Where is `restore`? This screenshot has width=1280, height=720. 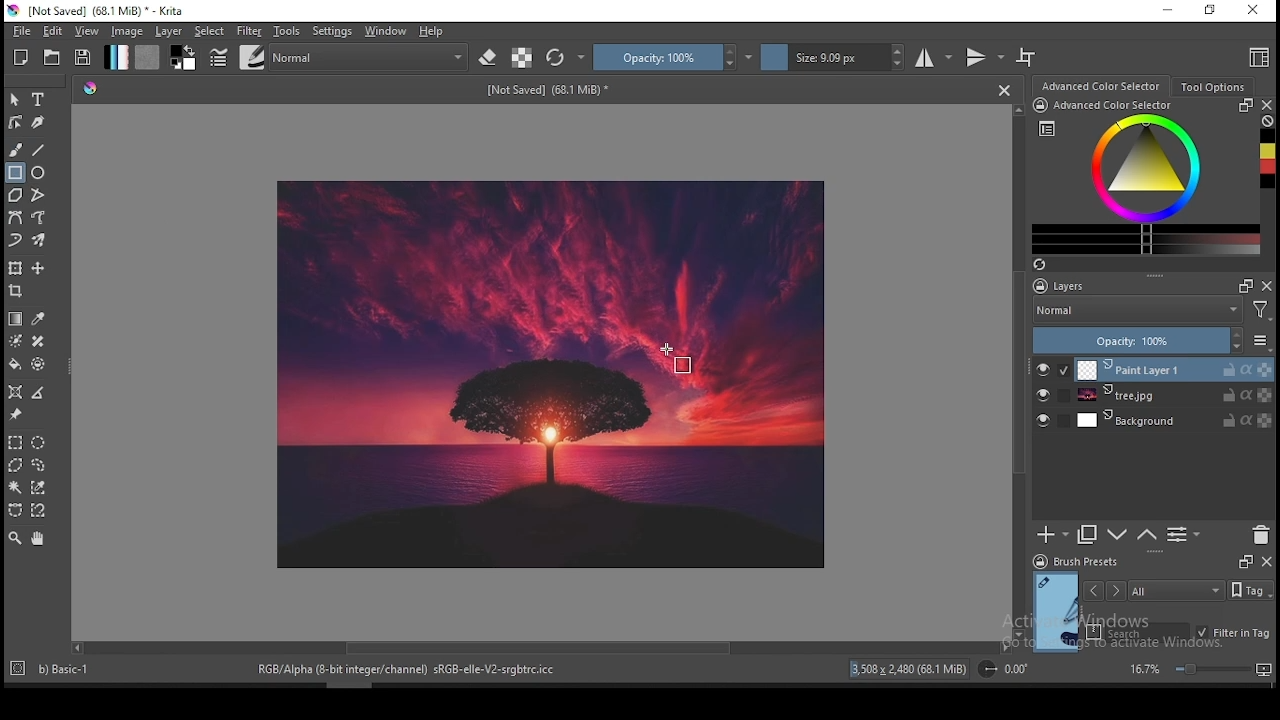 restore is located at coordinates (1209, 11).